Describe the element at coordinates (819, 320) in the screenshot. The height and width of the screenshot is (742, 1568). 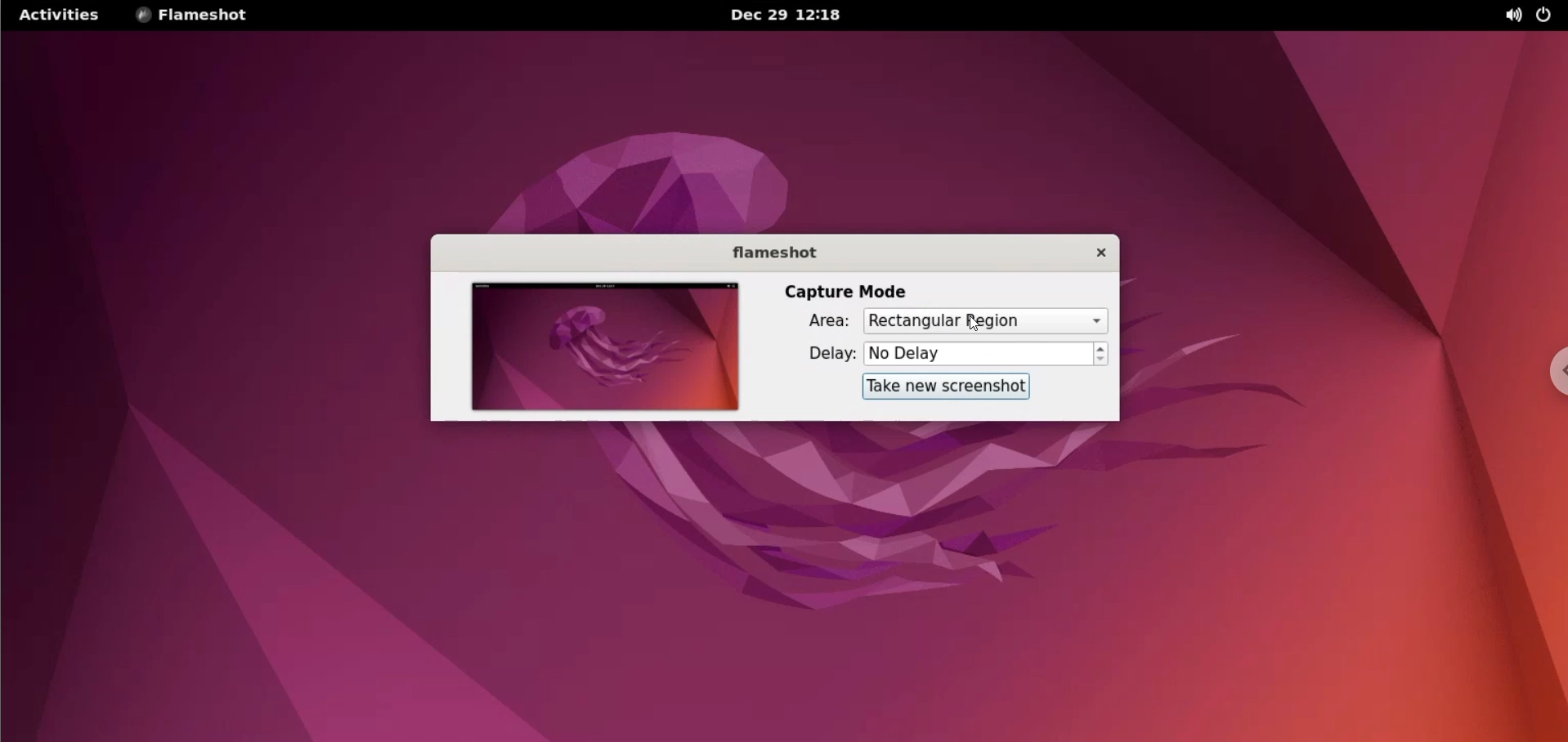
I see `Area label` at that location.